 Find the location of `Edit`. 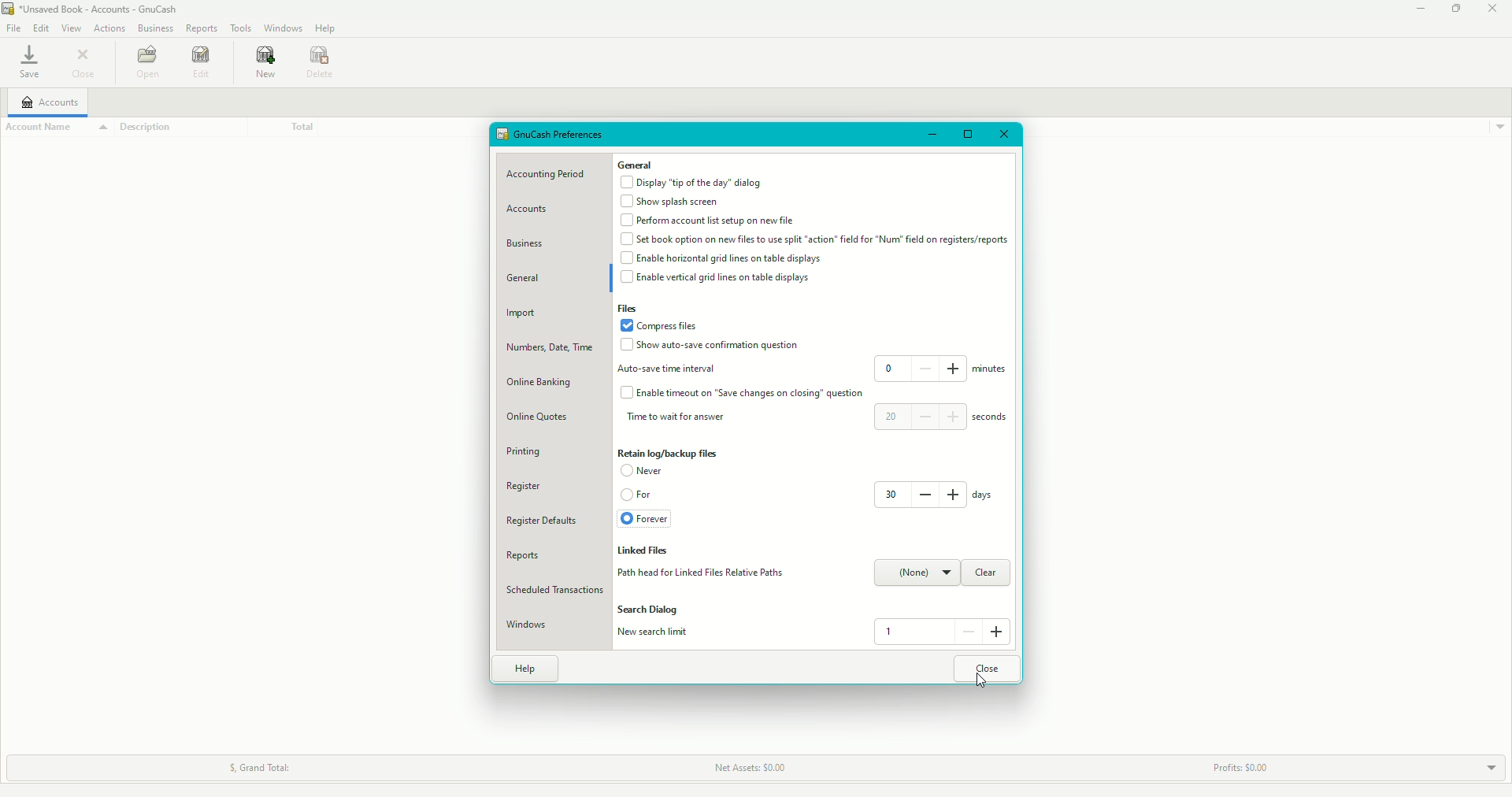

Edit is located at coordinates (200, 65).